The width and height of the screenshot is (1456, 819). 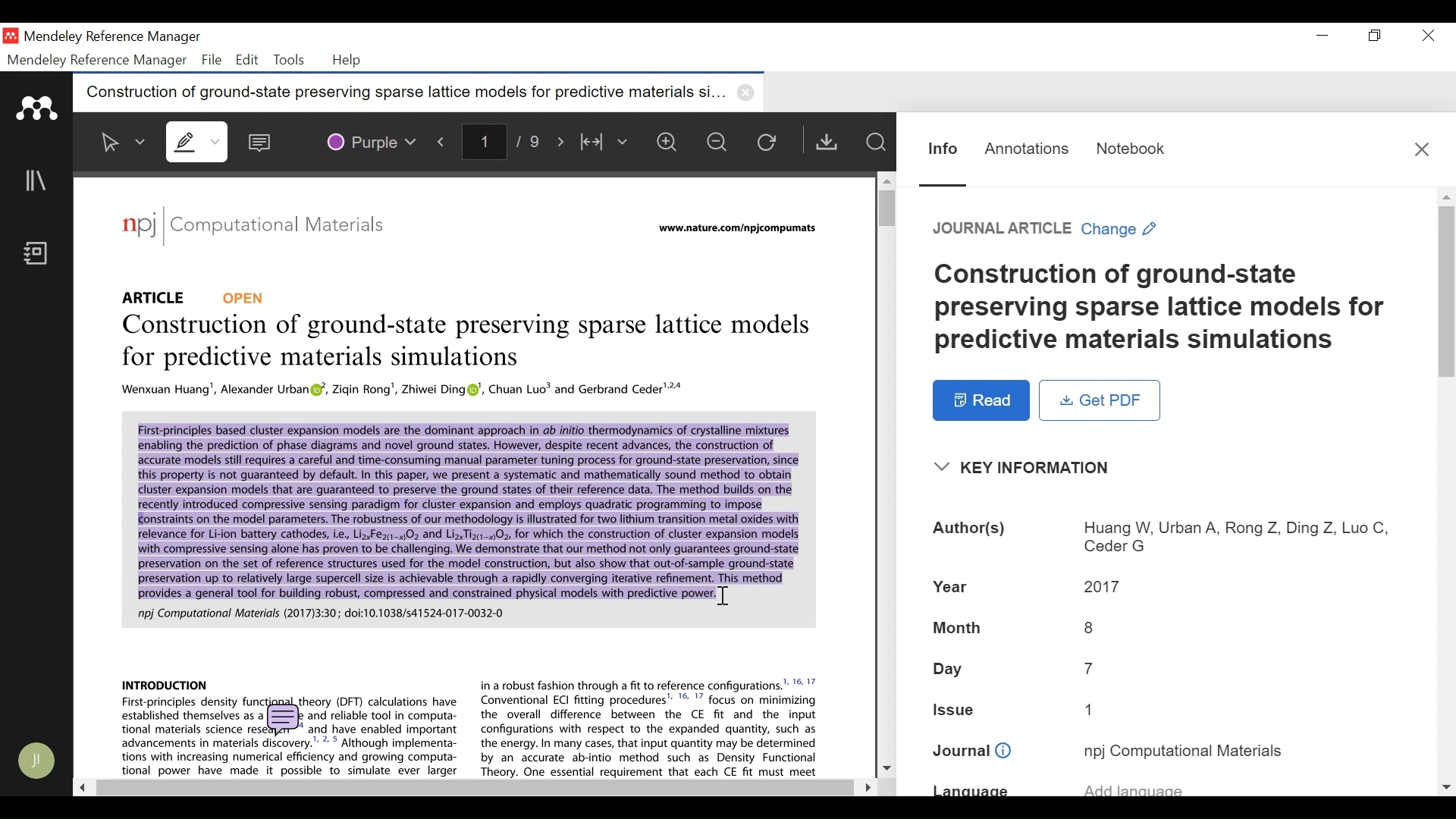 What do you see at coordinates (982, 400) in the screenshot?
I see `Read` at bounding box center [982, 400].